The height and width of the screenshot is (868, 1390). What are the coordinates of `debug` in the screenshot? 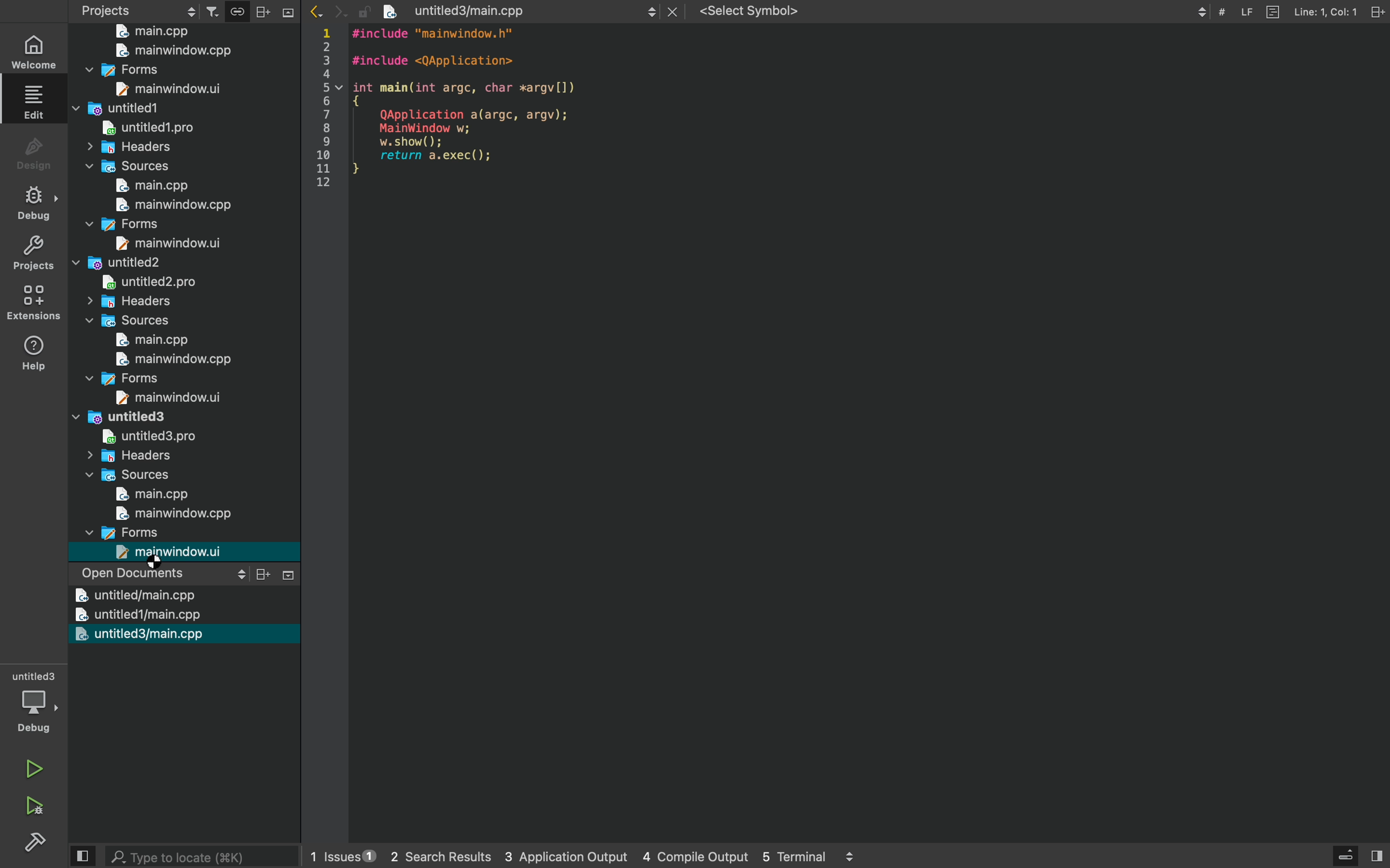 It's located at (37, 704).